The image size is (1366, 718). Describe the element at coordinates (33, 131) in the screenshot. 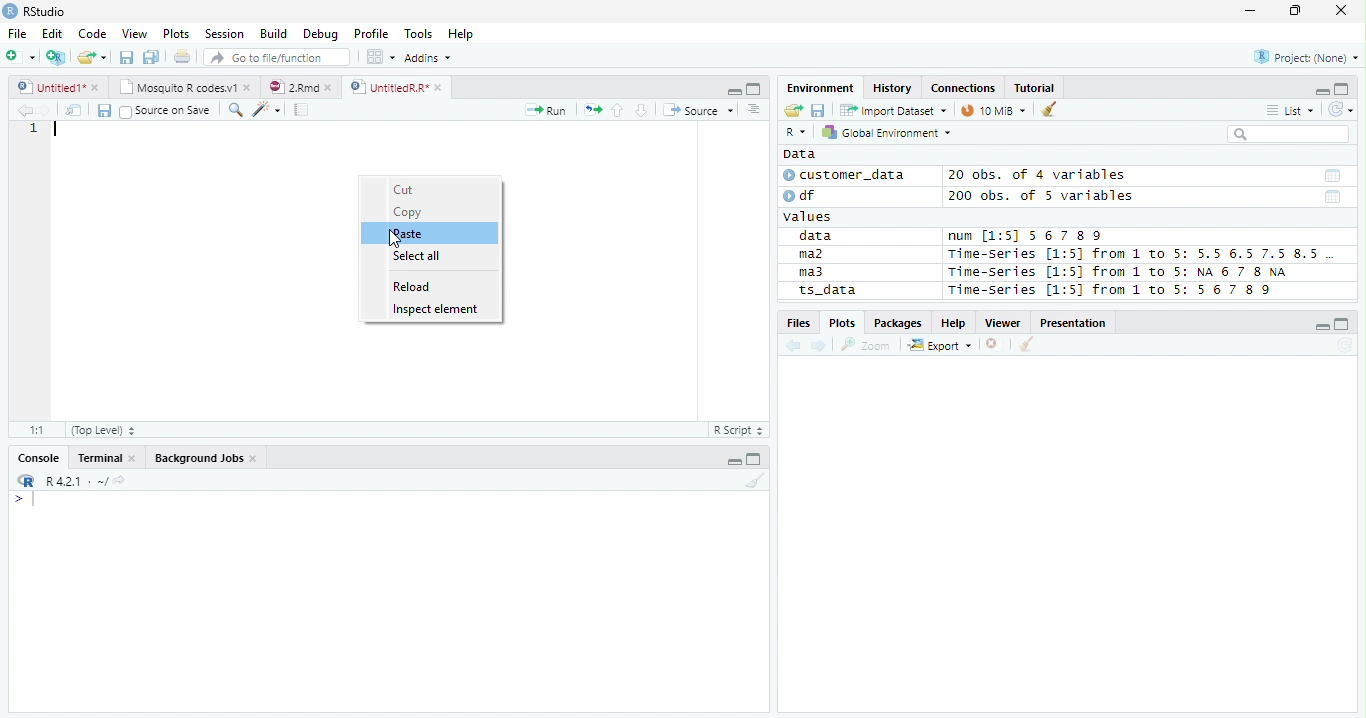

I see `Row Number` at that location.